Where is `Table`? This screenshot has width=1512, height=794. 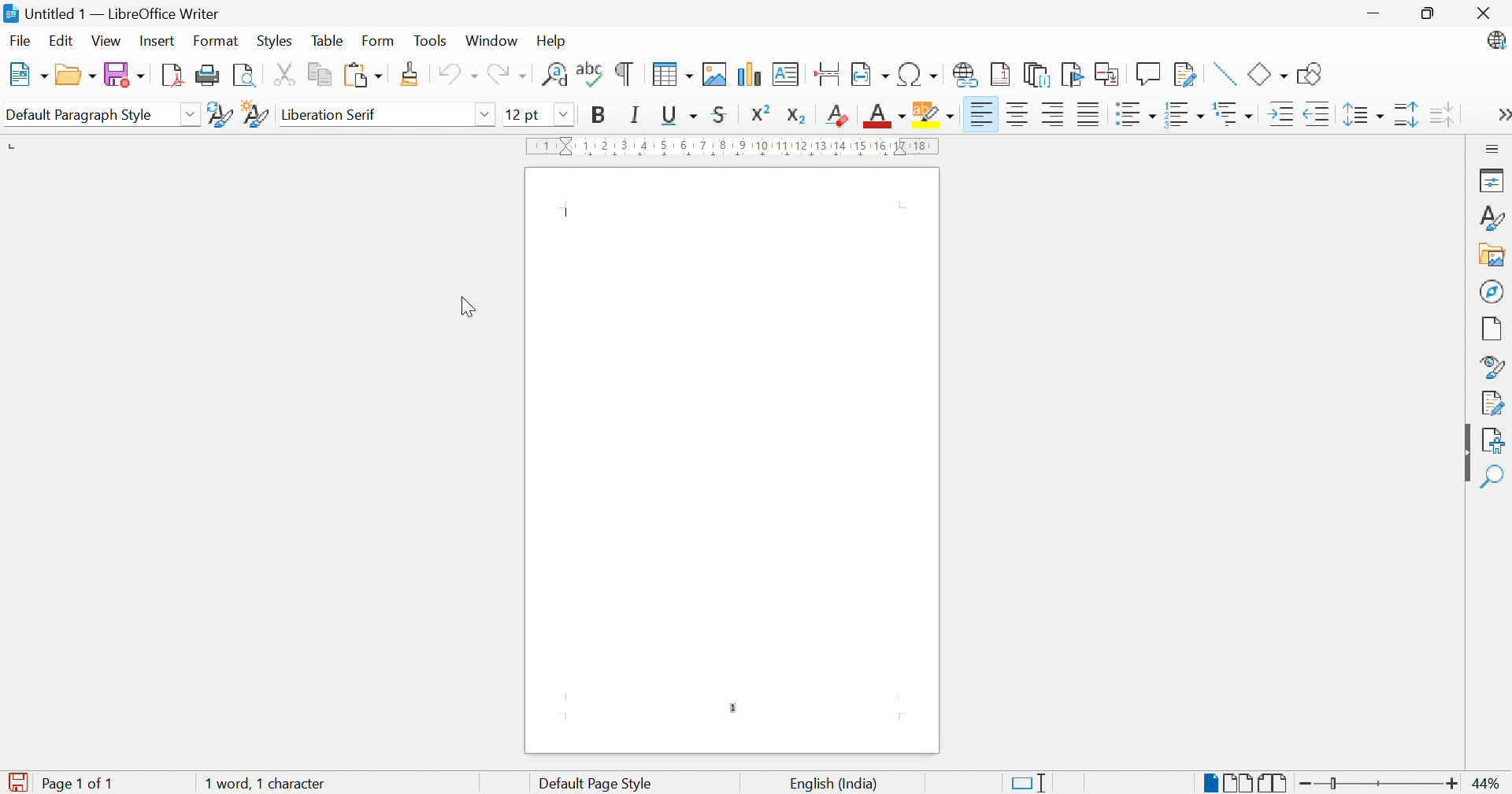
Table is located at coordinates (327, 40).